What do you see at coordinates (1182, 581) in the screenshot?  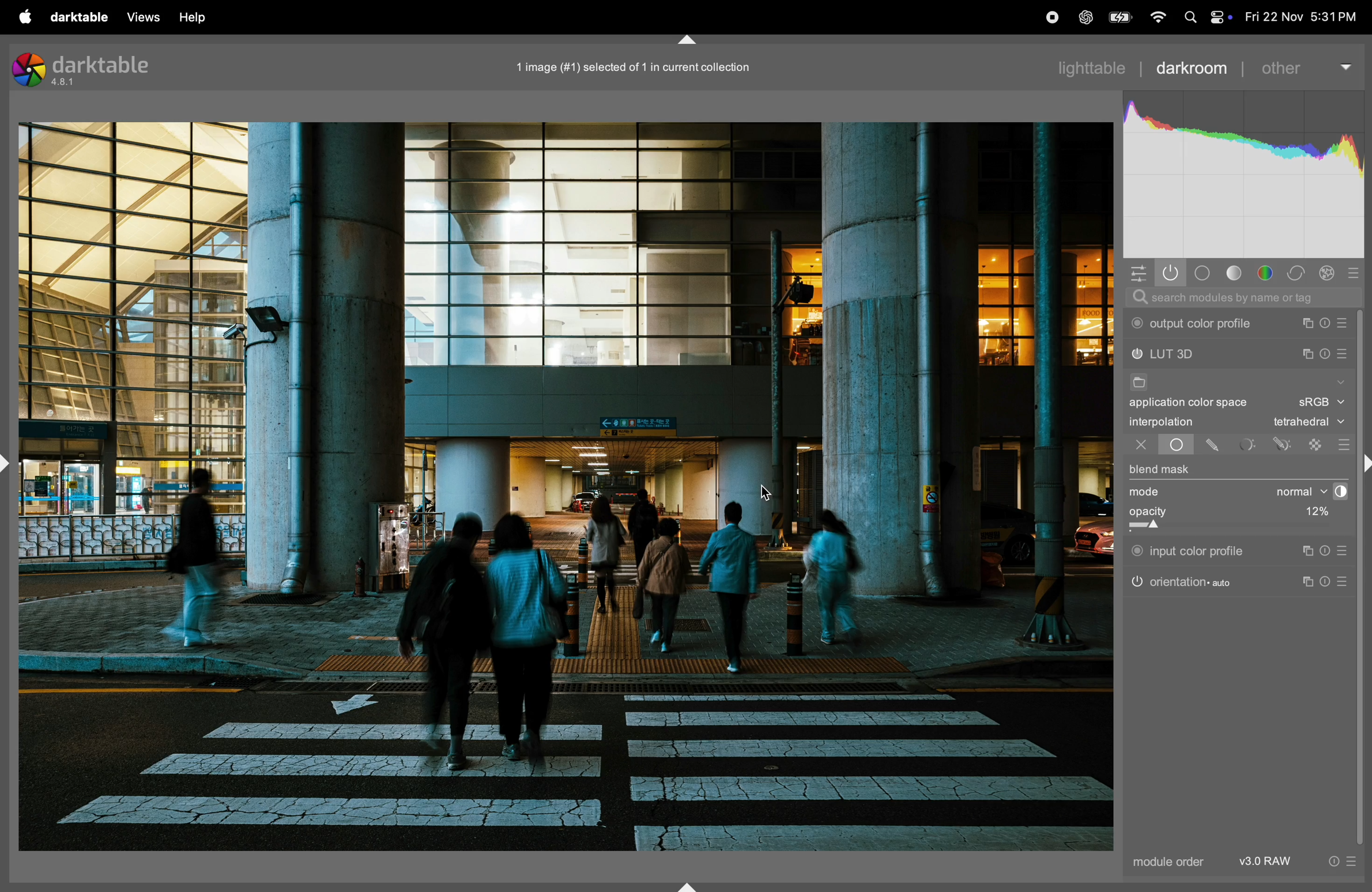 I see `orientation` at bounding box center [1182, 581].